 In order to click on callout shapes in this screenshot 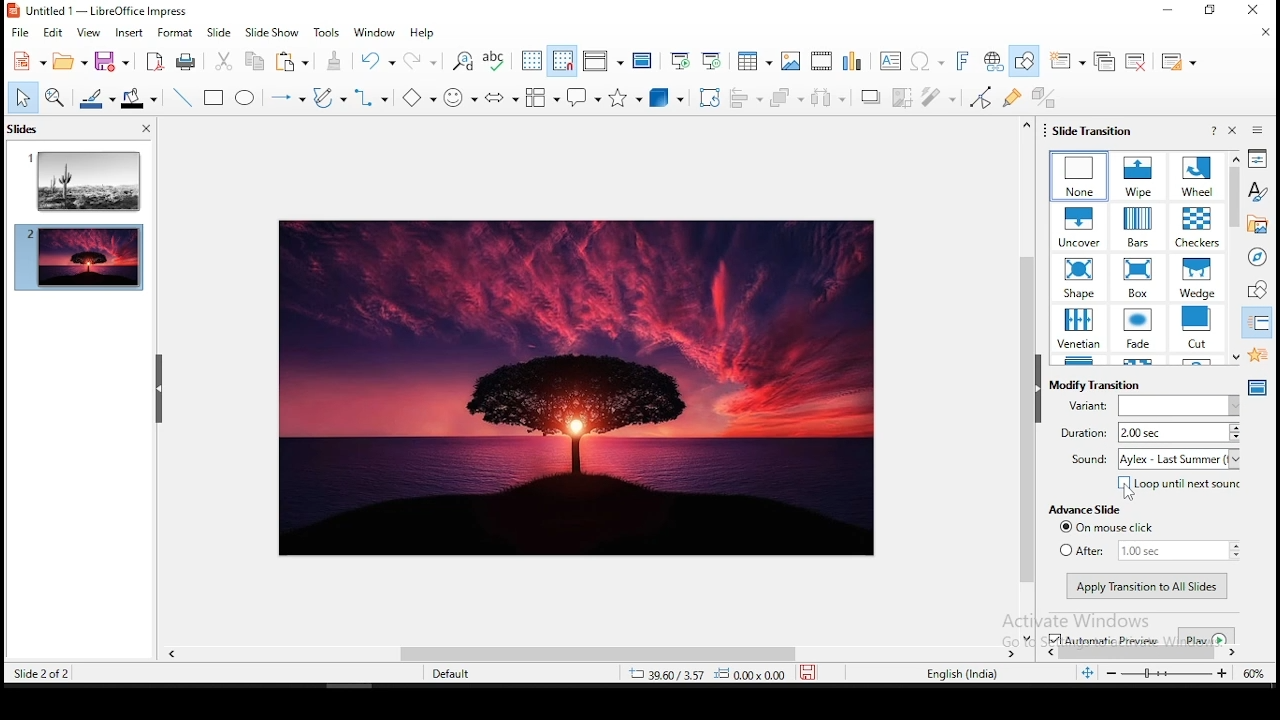, I will do `click(583, 97)`.